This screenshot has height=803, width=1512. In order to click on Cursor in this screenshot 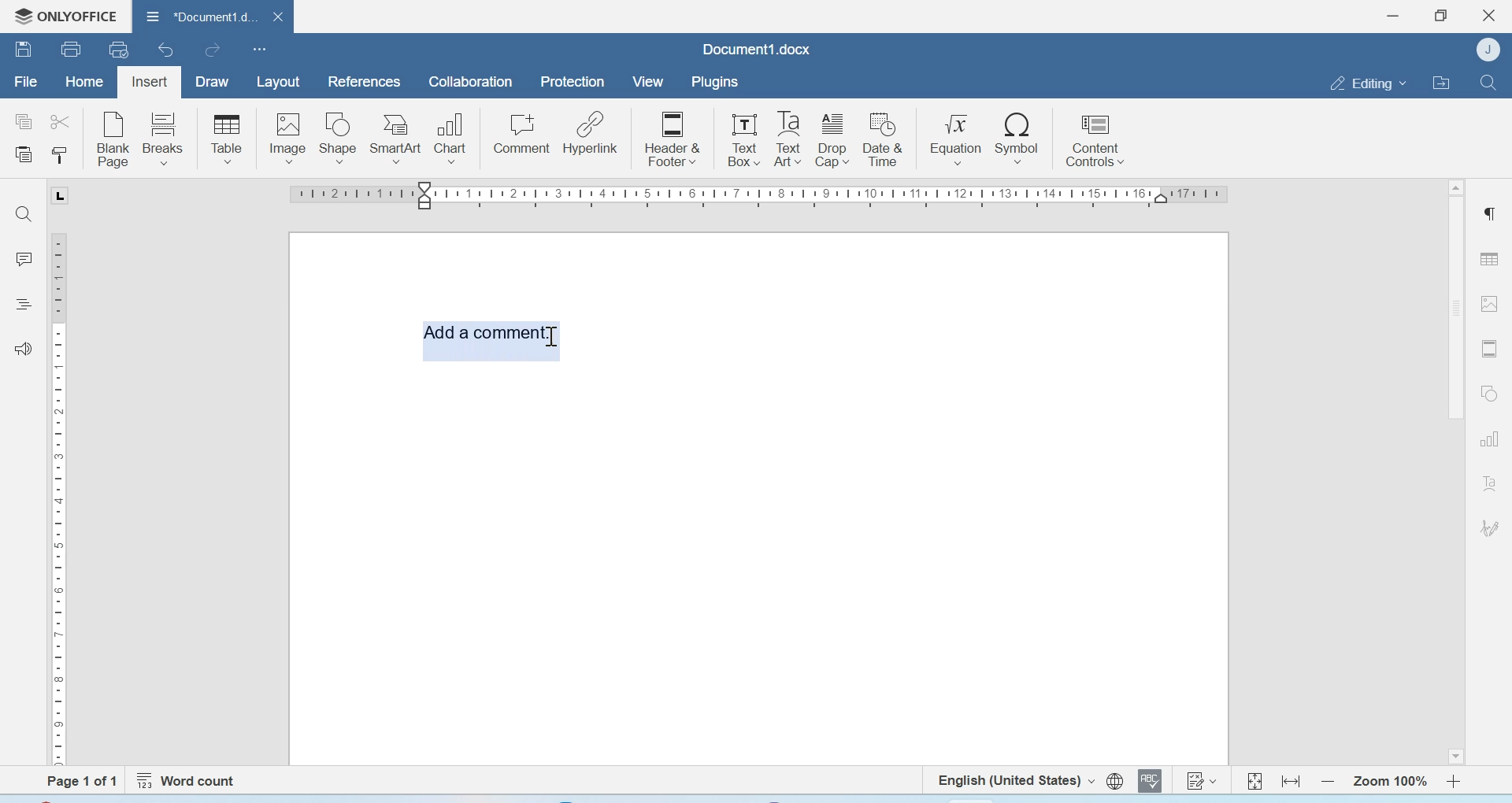, I will do `click(557, 339)`.